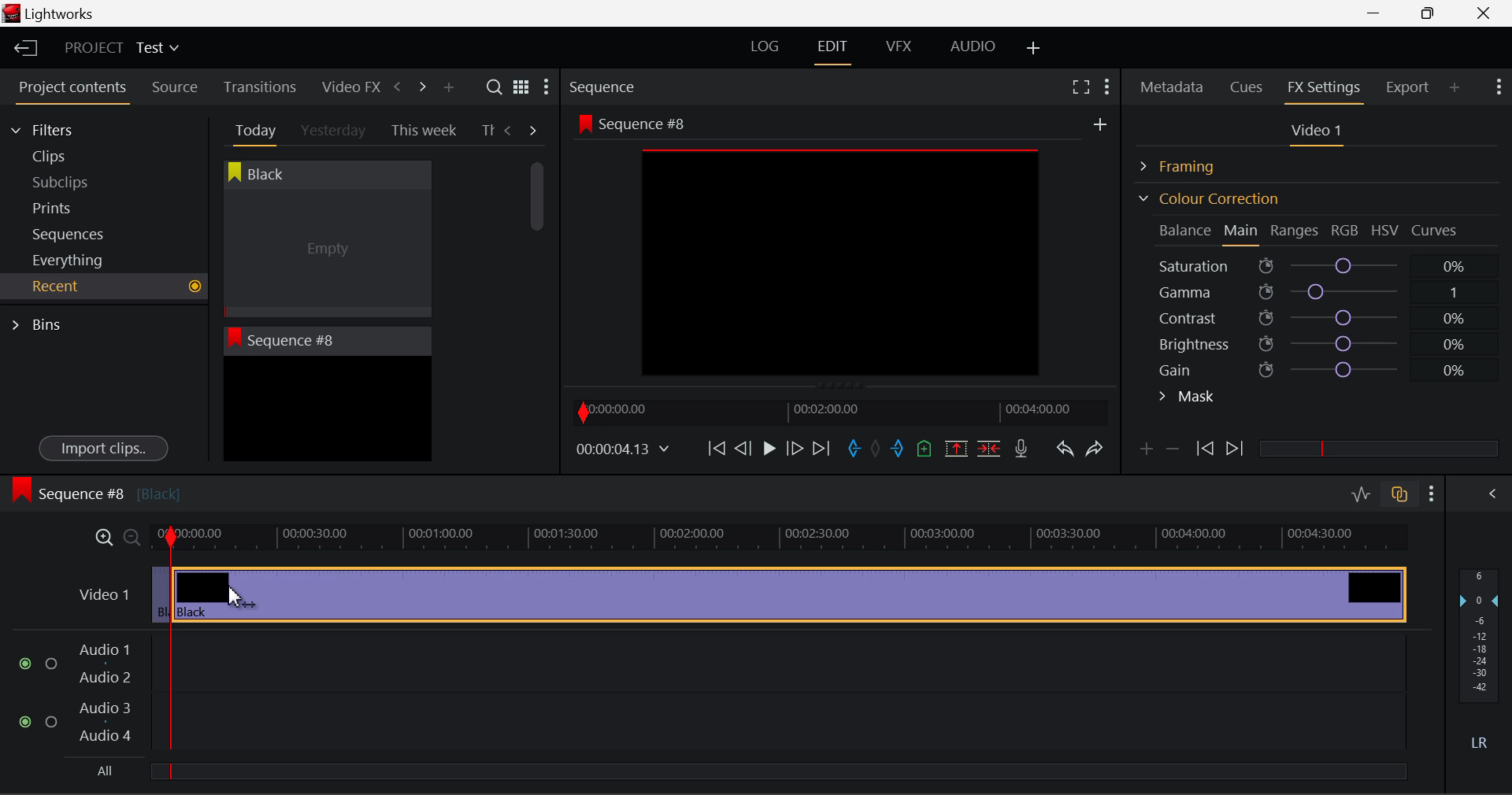  I want to click on Video FX, so click(346, 87).